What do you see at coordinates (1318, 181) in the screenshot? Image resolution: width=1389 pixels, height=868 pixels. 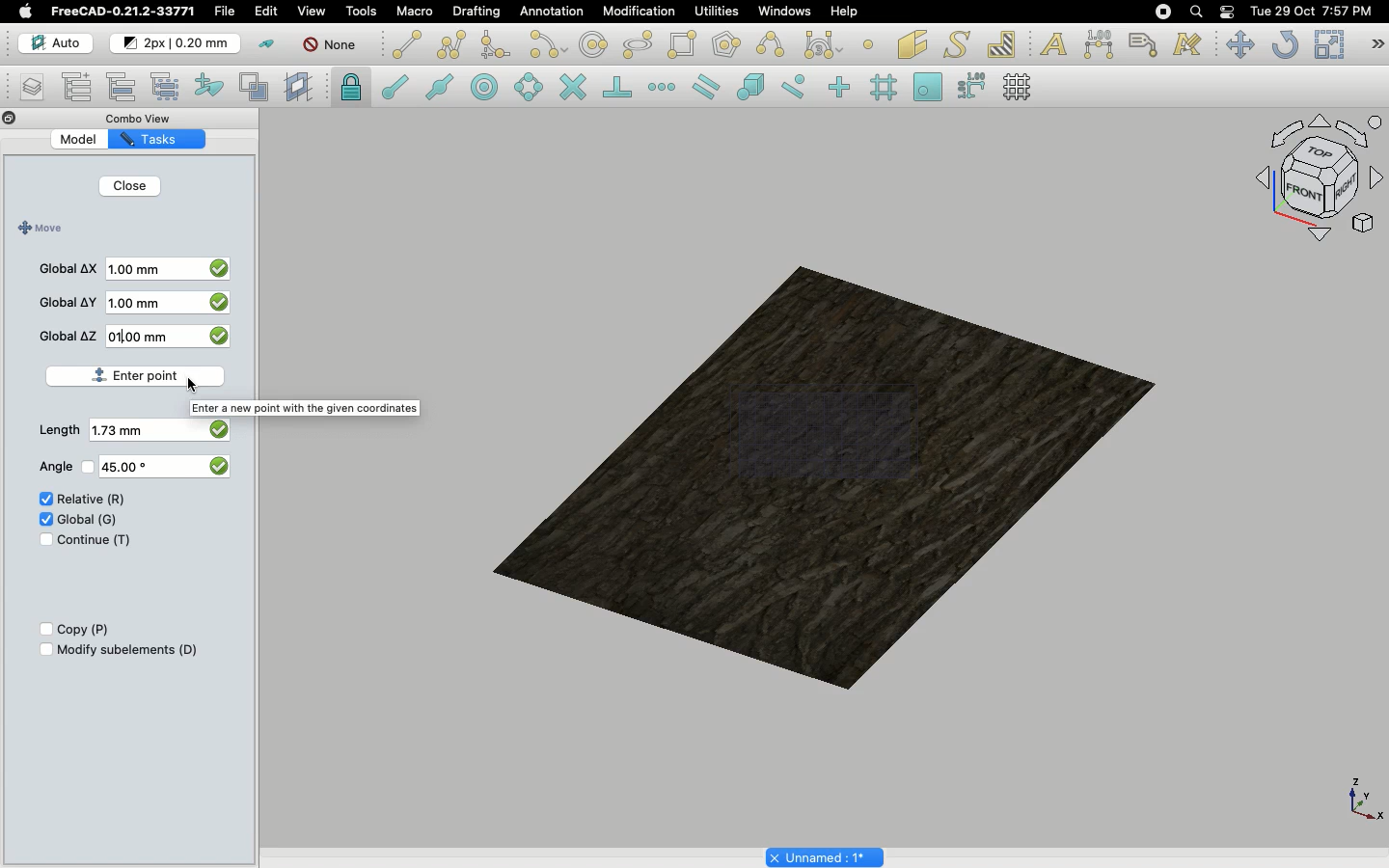 I see `Navigation styles` at bounding box center [1318, 181].